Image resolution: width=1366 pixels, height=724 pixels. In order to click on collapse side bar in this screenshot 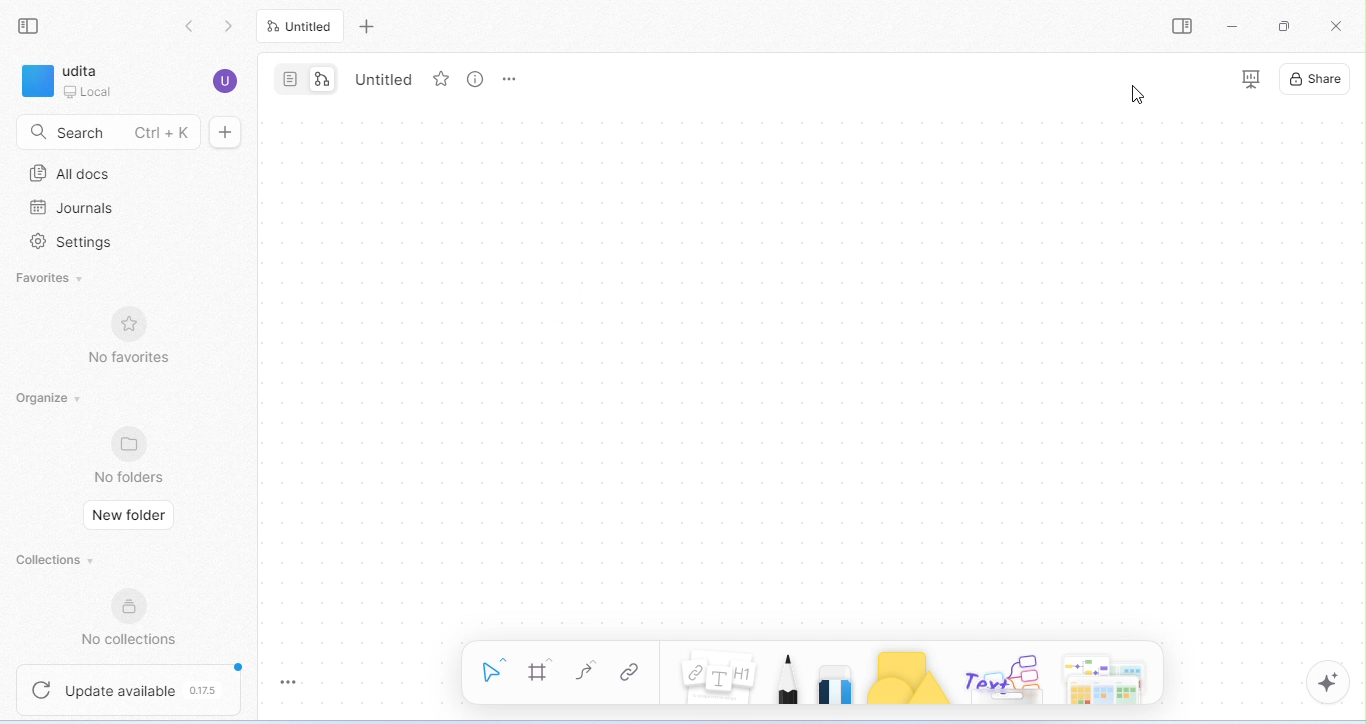, I will do `click(34, 27)`.